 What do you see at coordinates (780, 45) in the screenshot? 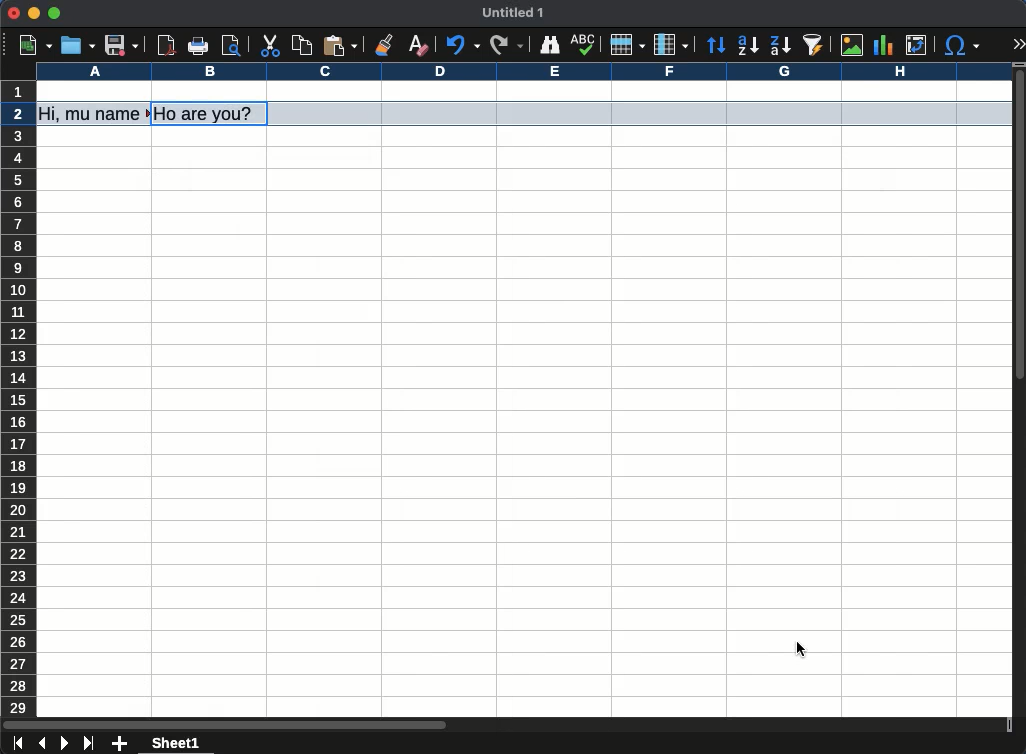
I see `descending` at bounding box center [780, 45].